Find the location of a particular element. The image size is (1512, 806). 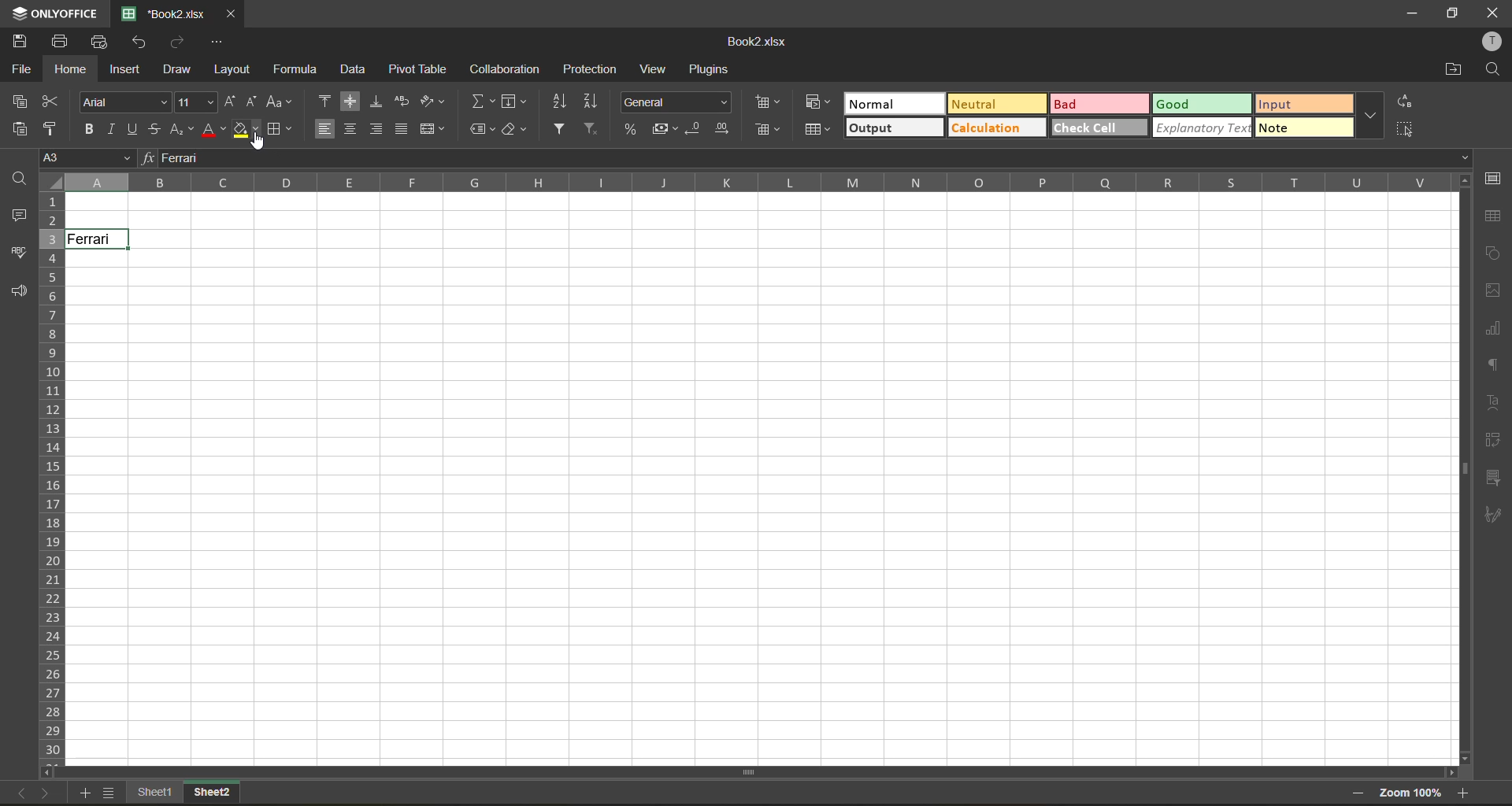

find is located at coordinates (20, 178).